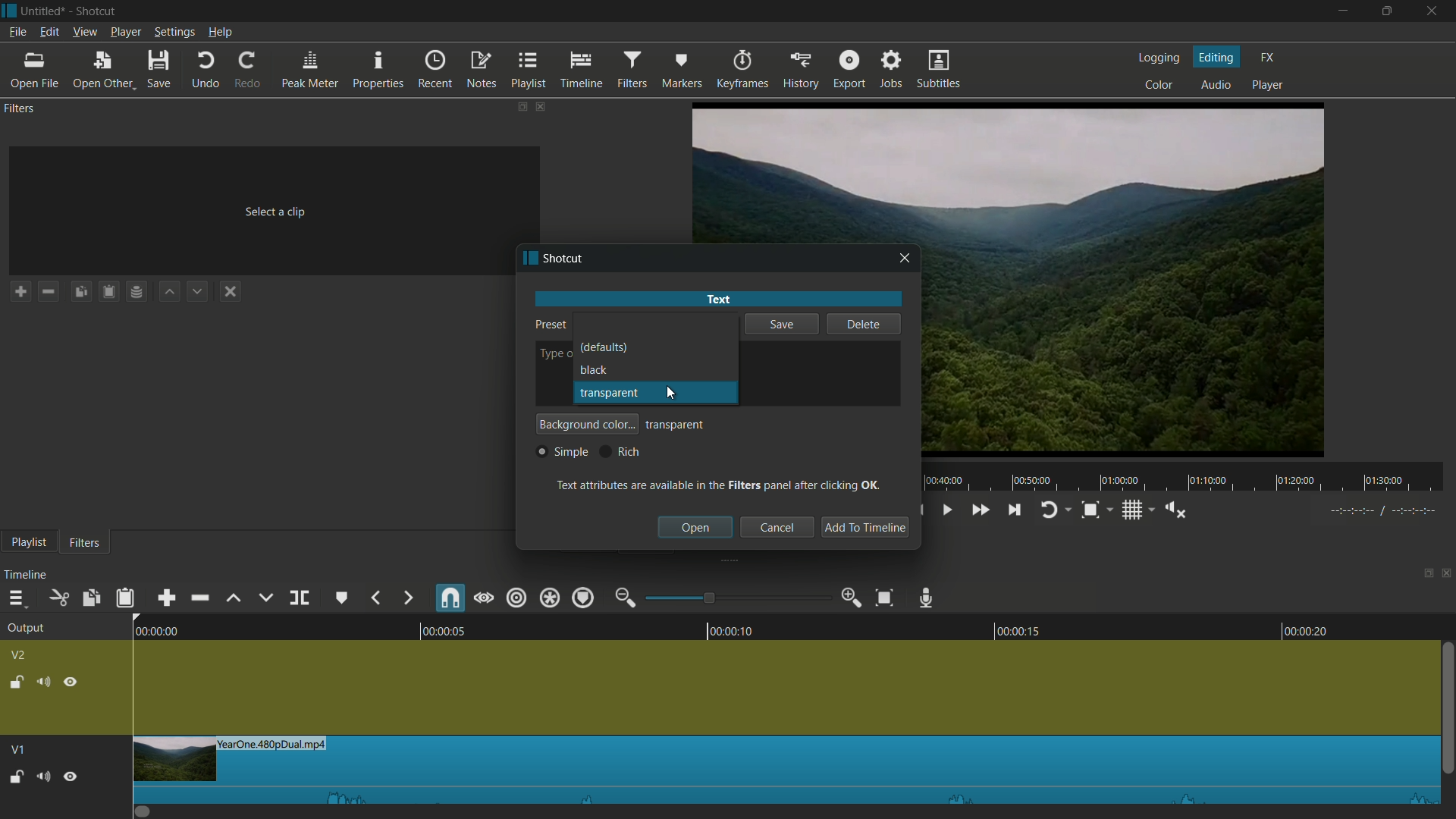 This screenshot has height=819, width=1456. I want to click on markers, so click(680, 71).